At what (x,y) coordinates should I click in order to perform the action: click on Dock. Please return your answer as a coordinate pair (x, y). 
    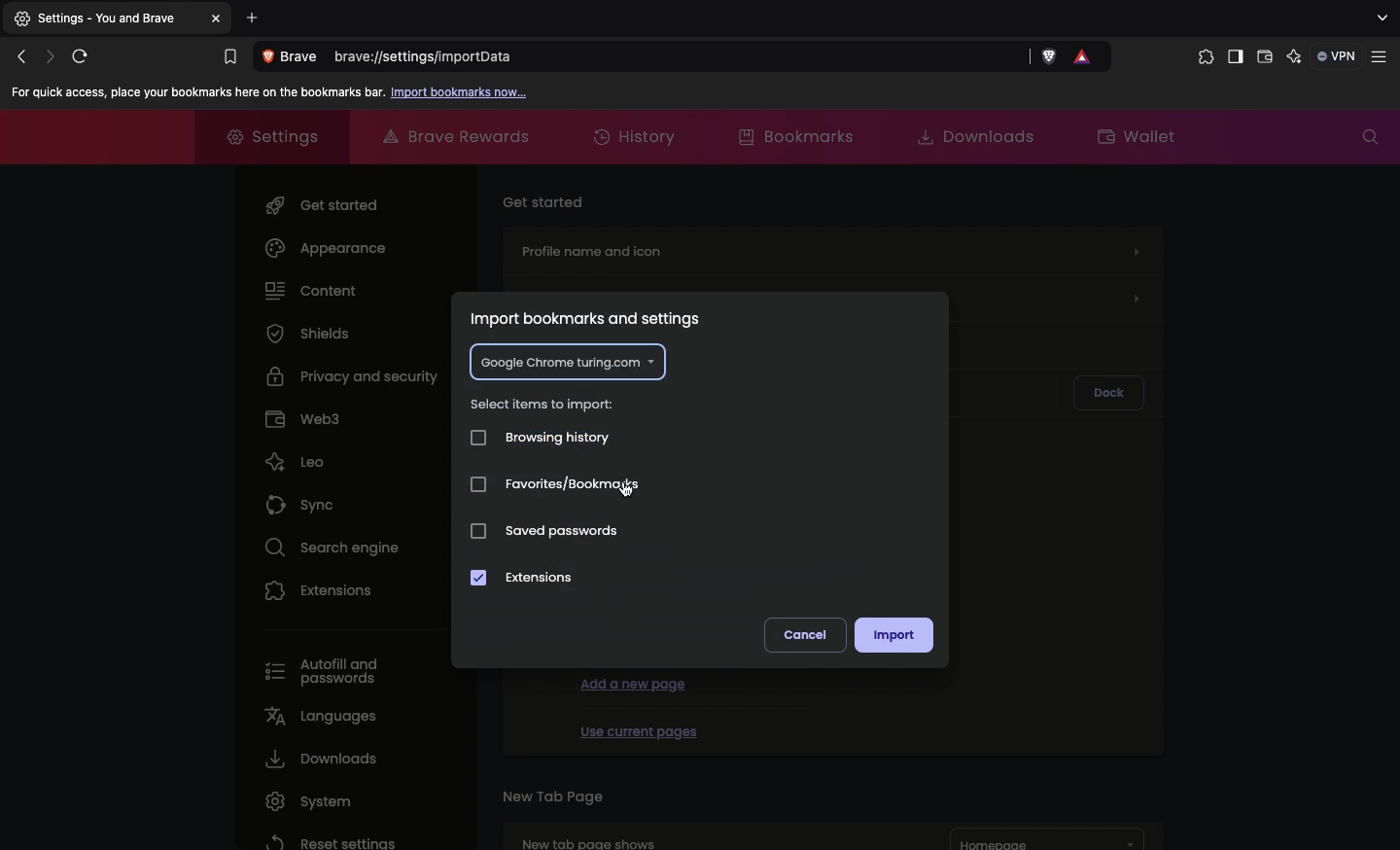
    Looking at the image, I should click on (1108, 393).